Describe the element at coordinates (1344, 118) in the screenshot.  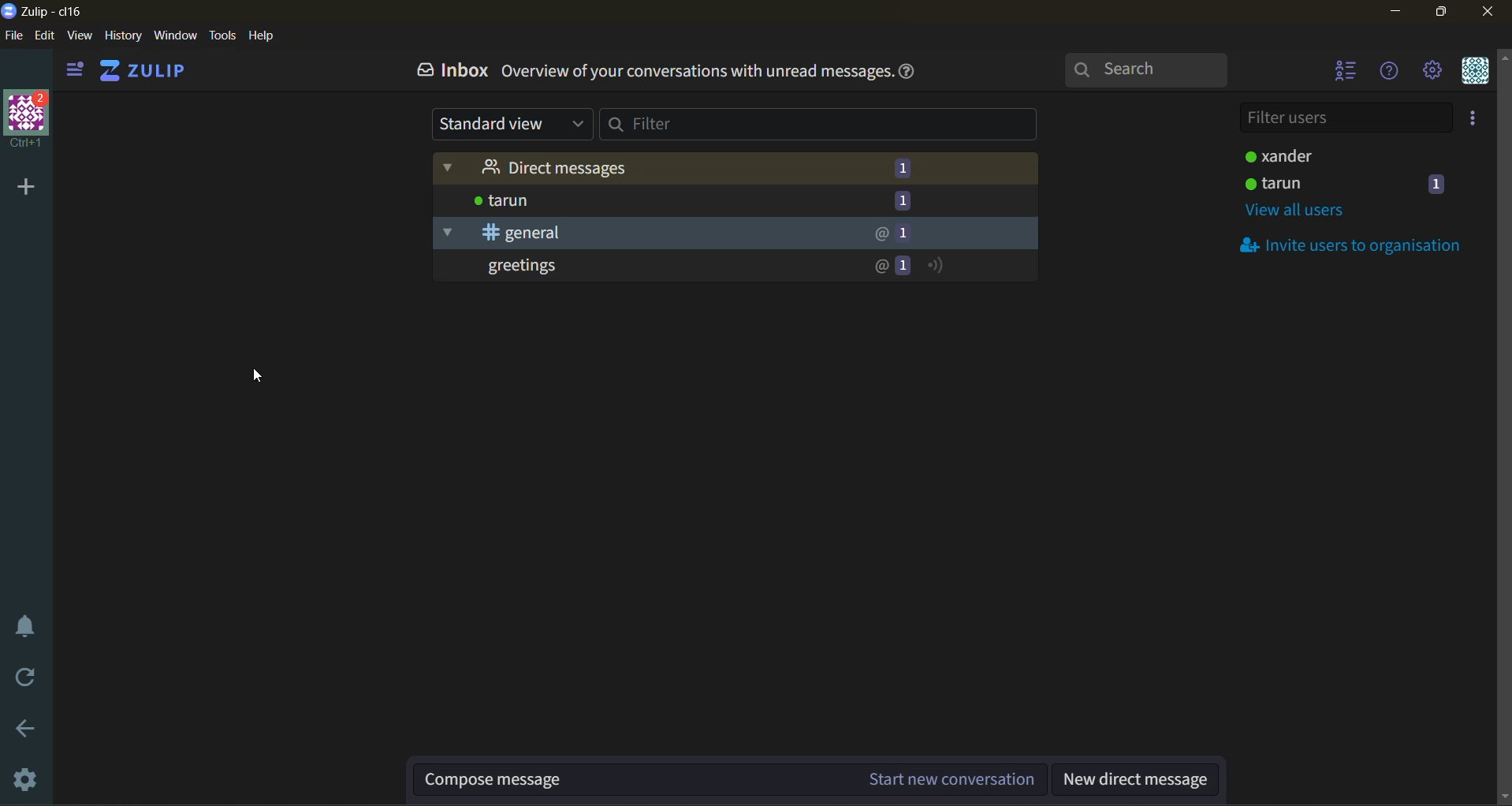
I see `filter users` at that location.